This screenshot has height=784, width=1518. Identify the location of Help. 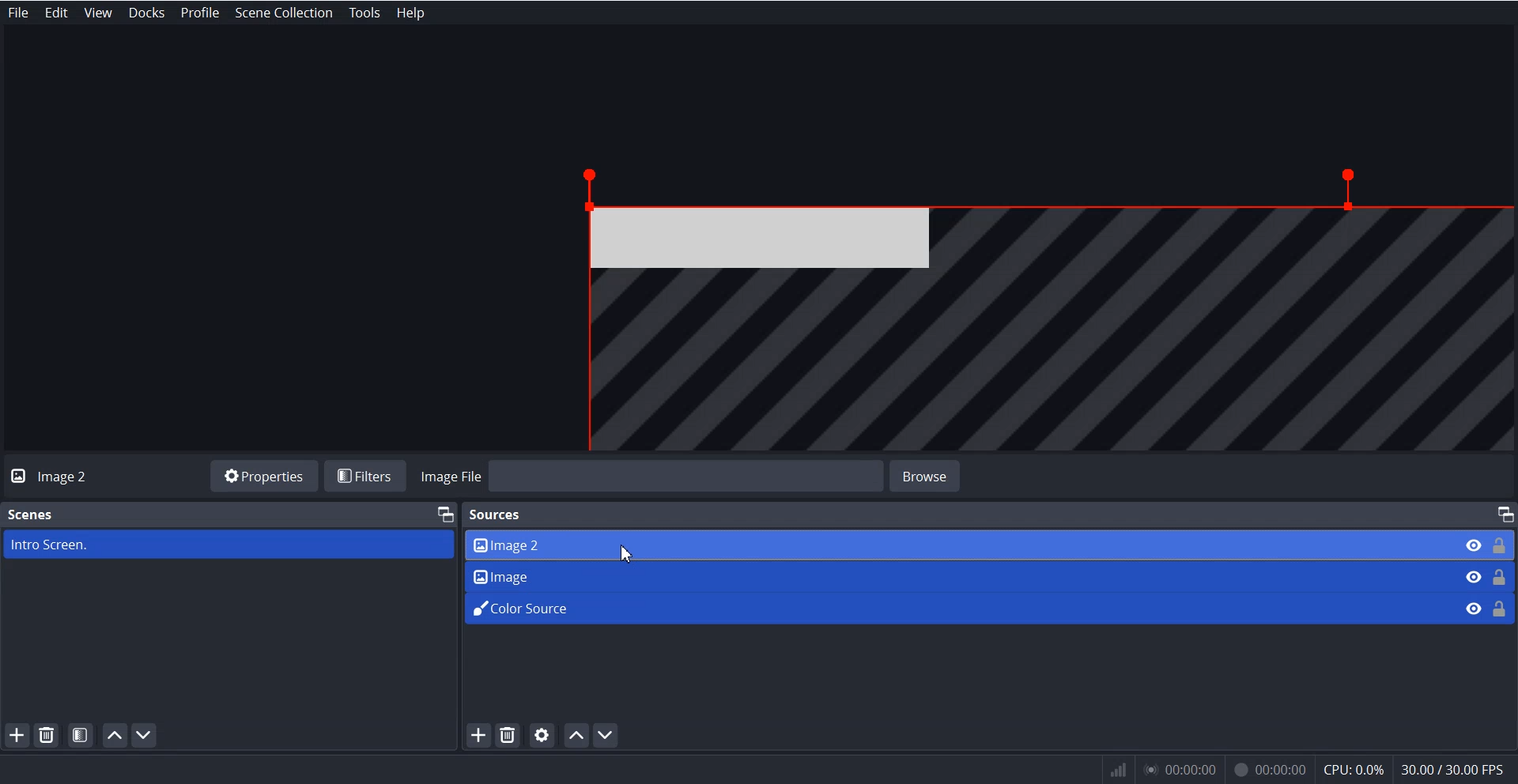
(408, 13).